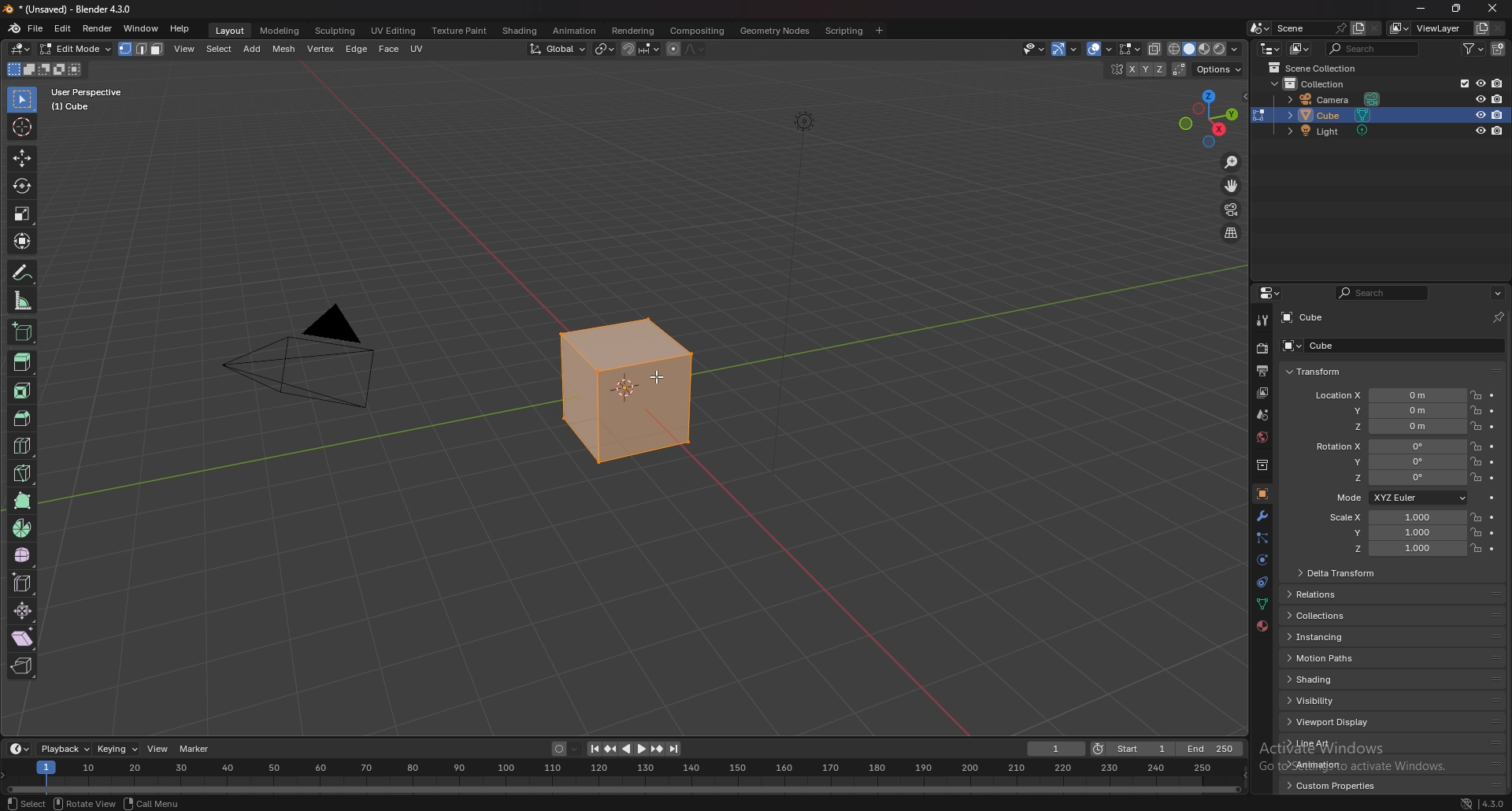  Describe the element at coordinates (1476, 461) in the screenshot. I see `lock location` at that location.